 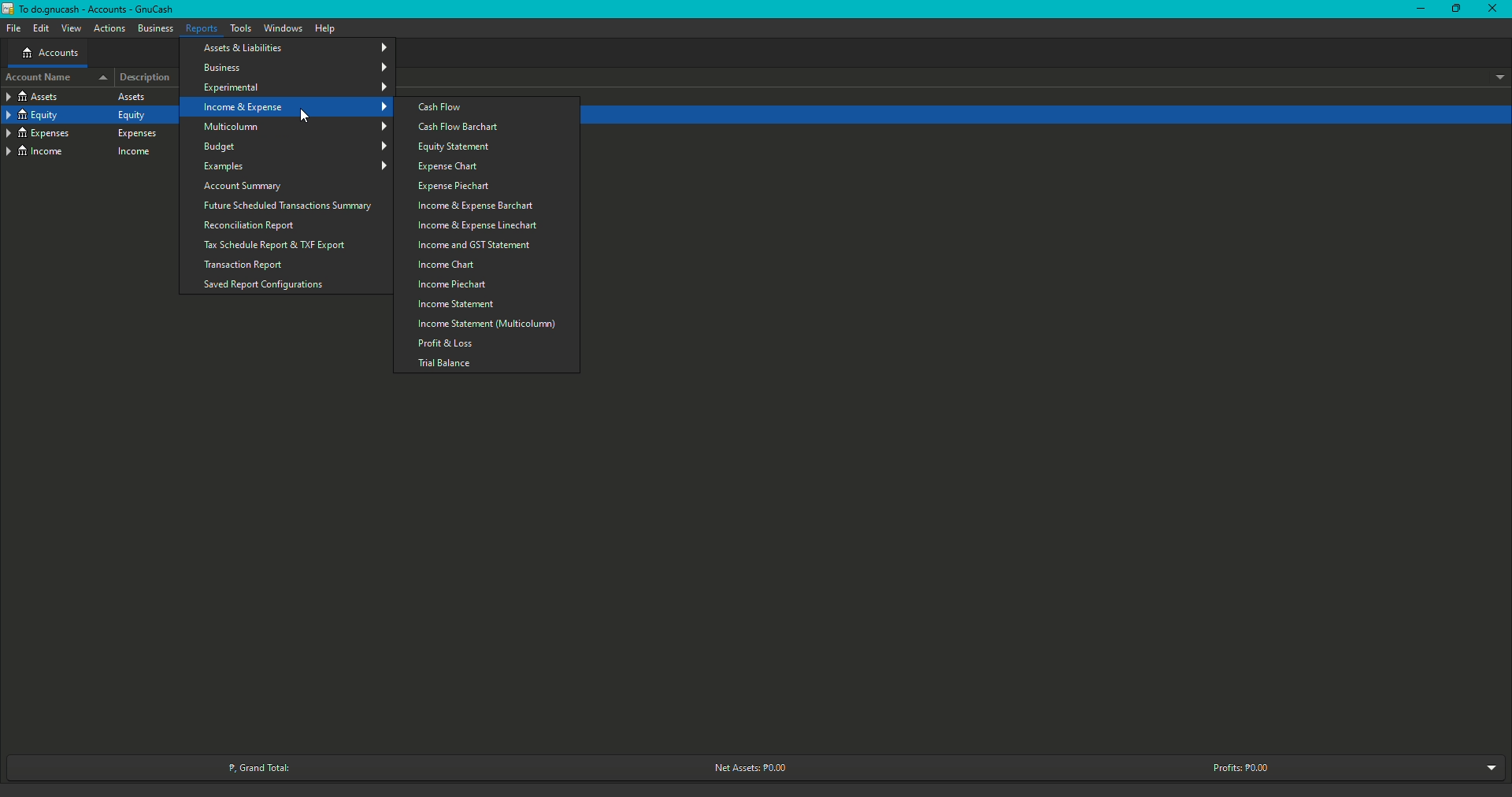 What do you see at coordinates (295, 108) in the screenshot?
I see `Income and Expenses` at bounding box center [295, 108].